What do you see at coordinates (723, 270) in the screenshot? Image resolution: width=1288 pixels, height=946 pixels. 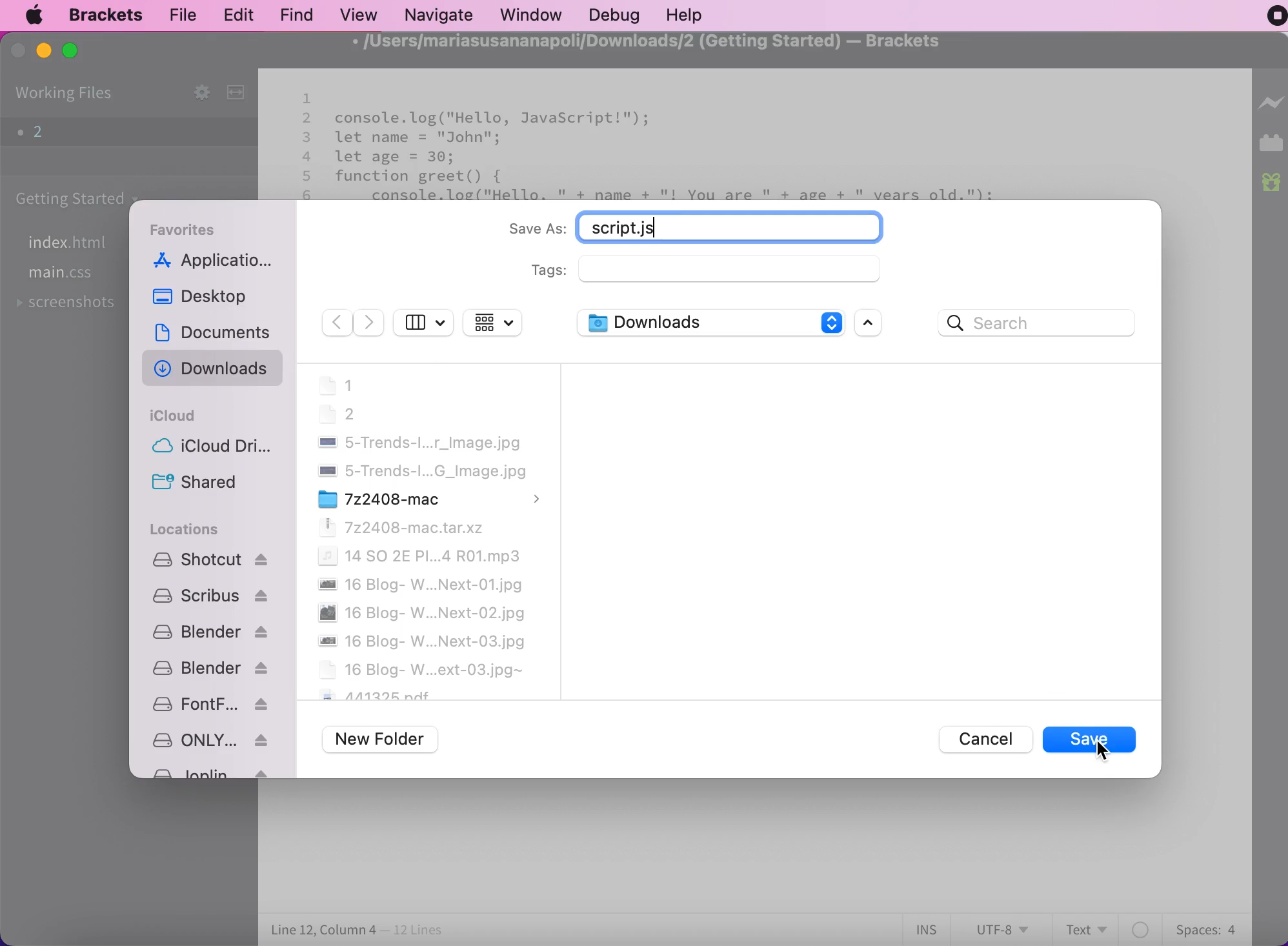 I see `tags:` at bounding box center [723, 270].